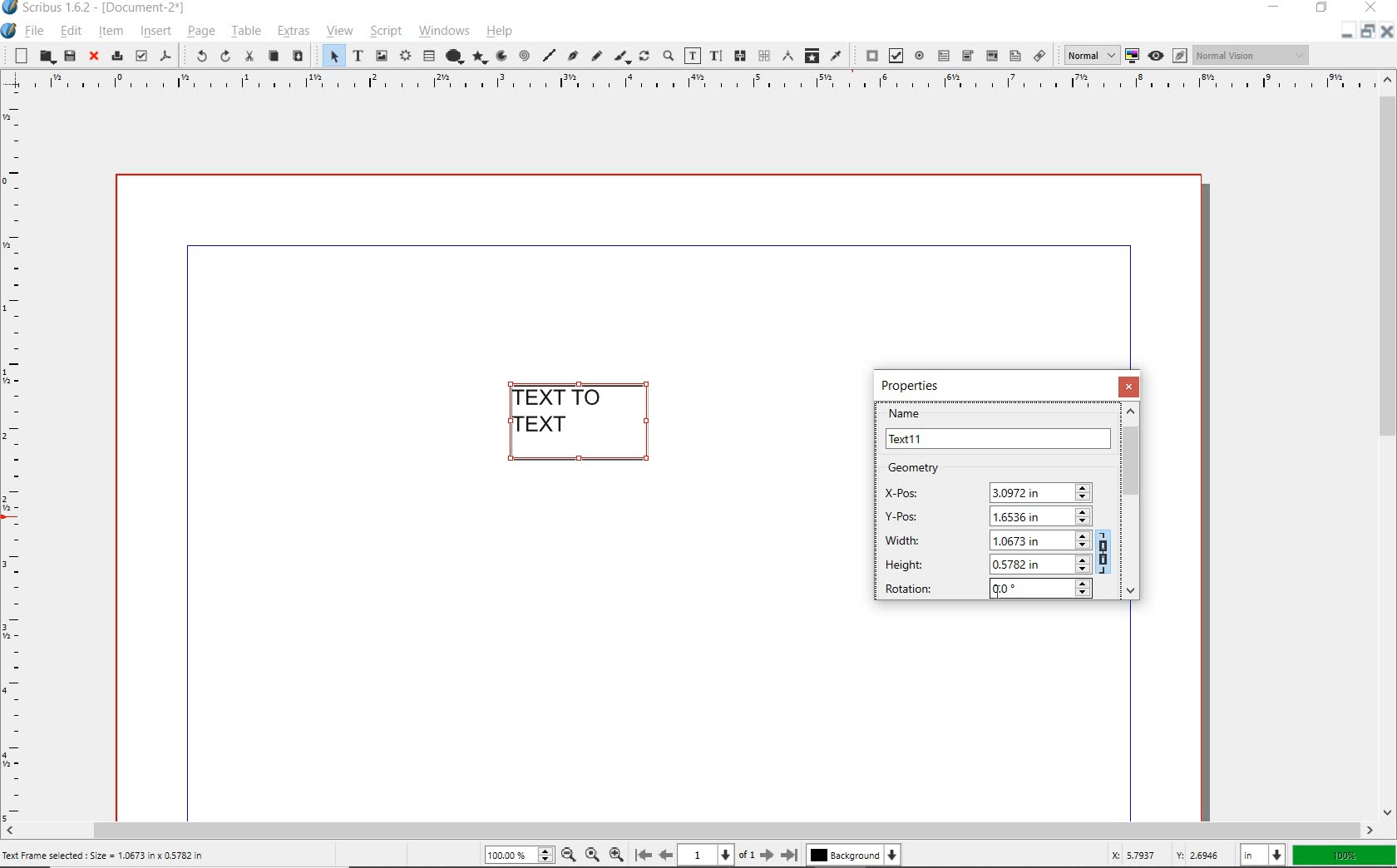  I want to click on link annotation, so click(1038, 55).